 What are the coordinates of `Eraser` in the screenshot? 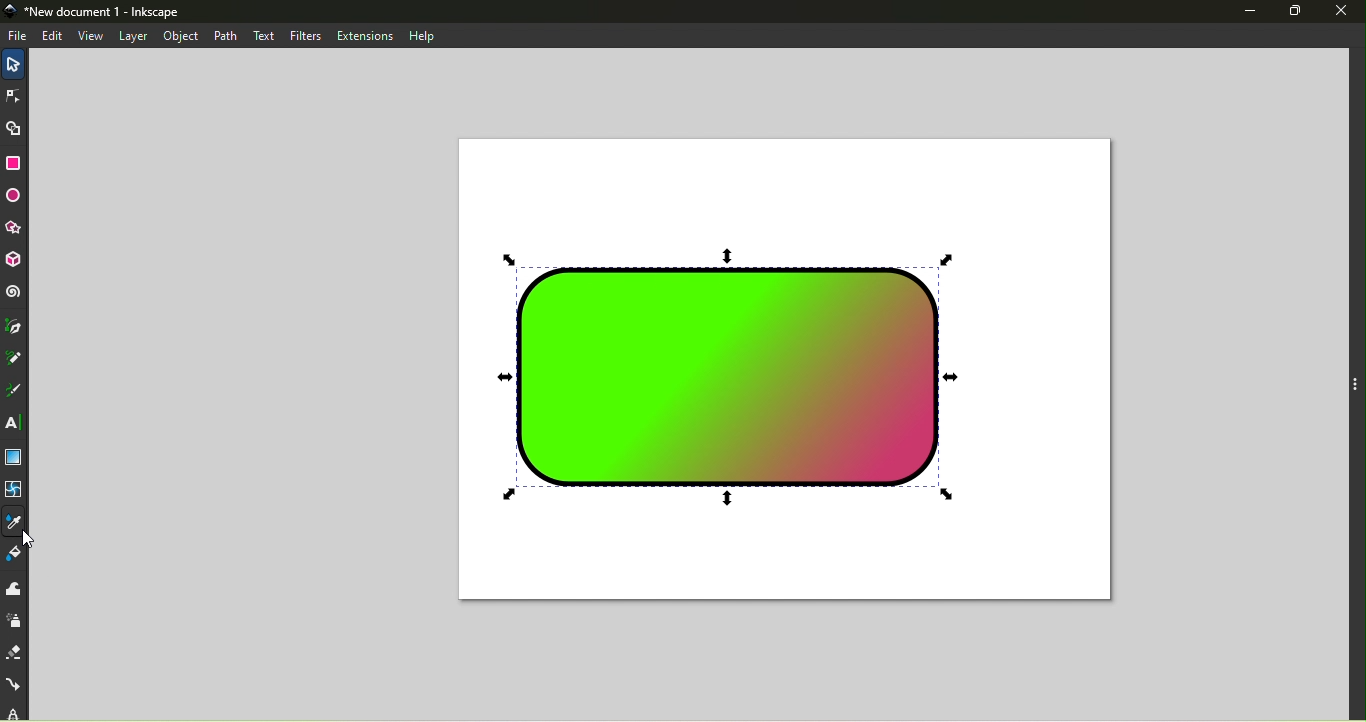 It's located at (15, 649).